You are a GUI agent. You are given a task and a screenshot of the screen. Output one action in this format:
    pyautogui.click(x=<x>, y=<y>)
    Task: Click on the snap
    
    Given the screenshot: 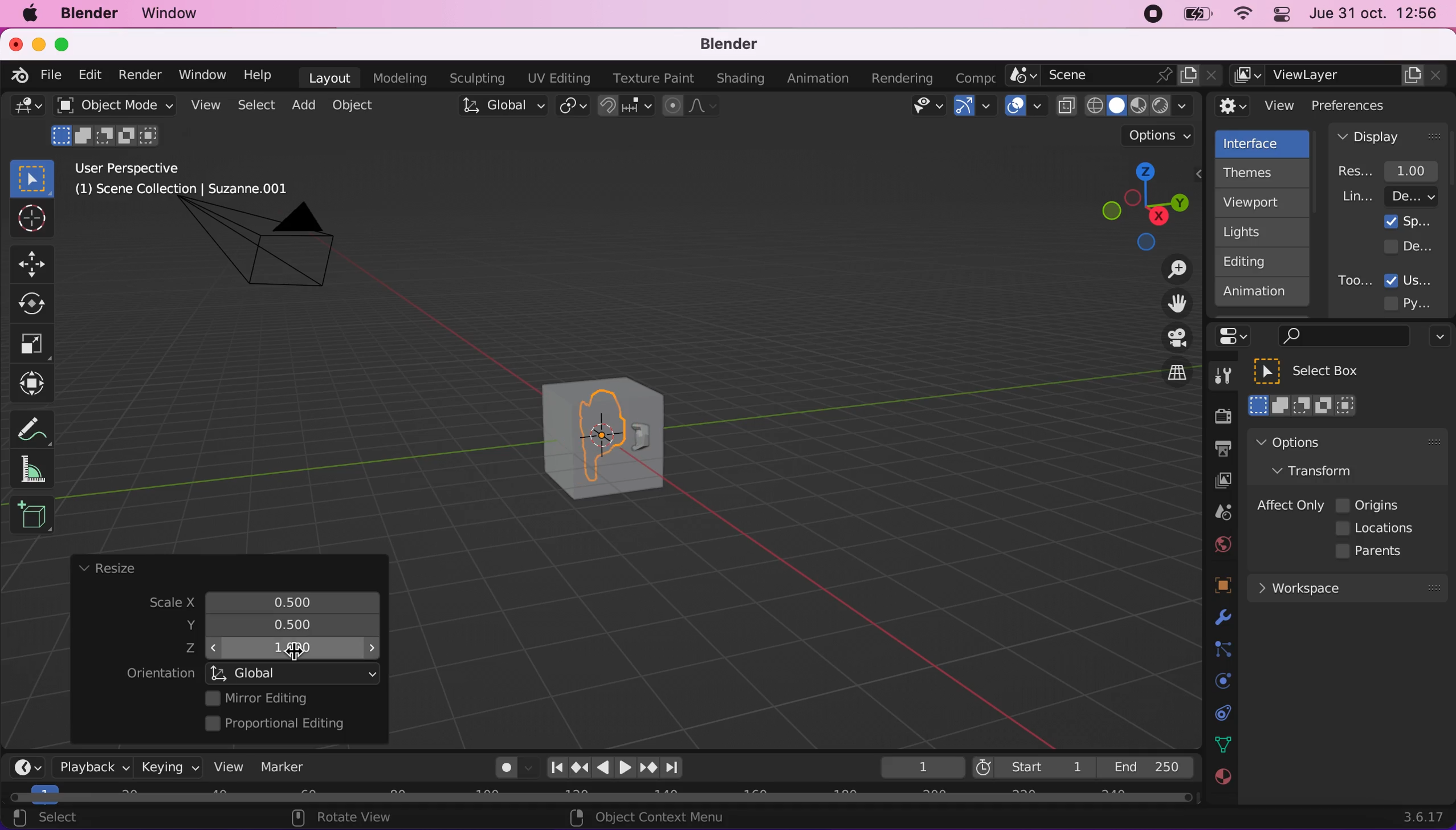 What is the action you would take?
    pyautogui.click(x=627, y=106)
    